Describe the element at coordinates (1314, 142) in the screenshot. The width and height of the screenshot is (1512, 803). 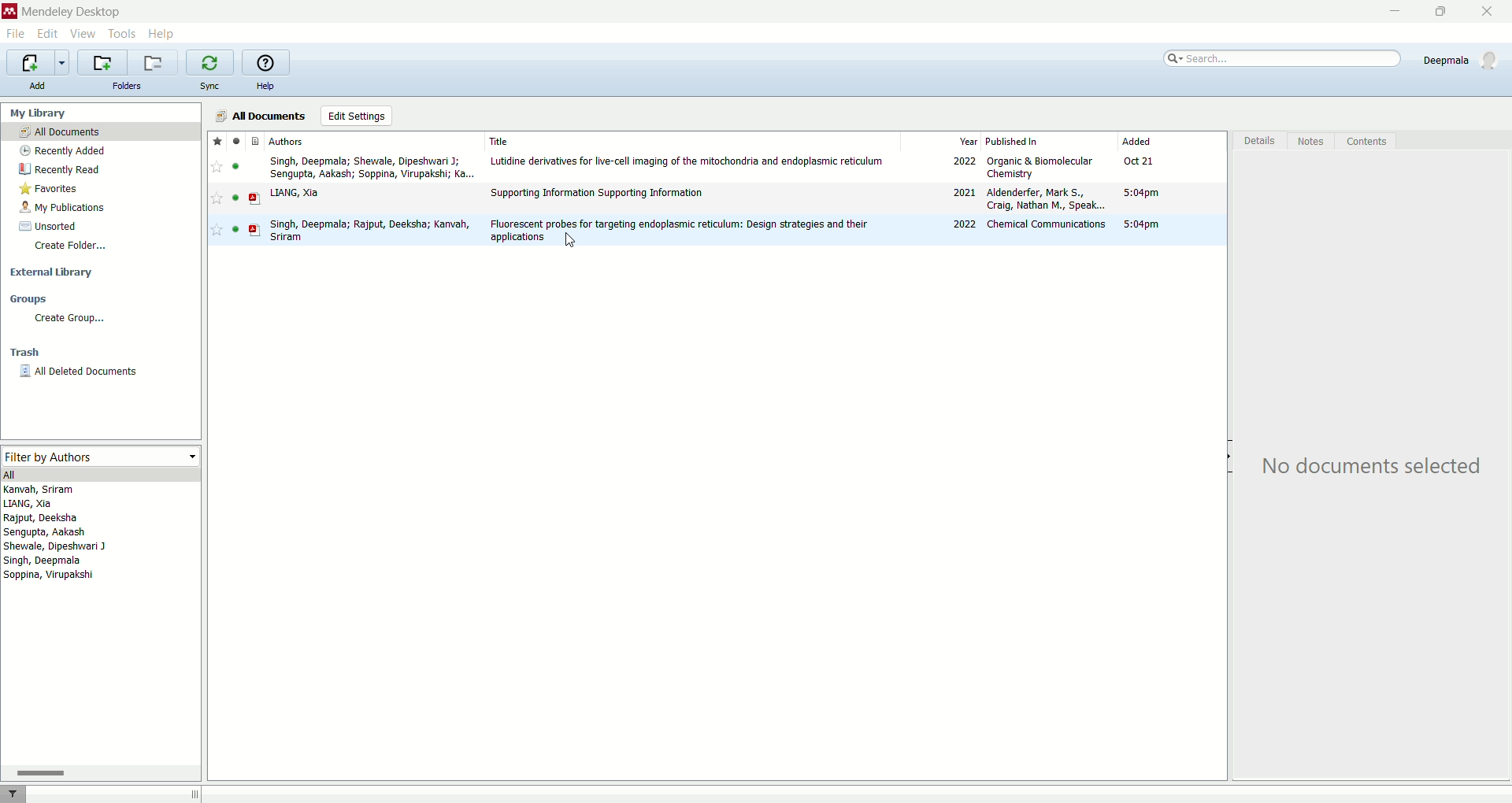
I see `notes` at that location.